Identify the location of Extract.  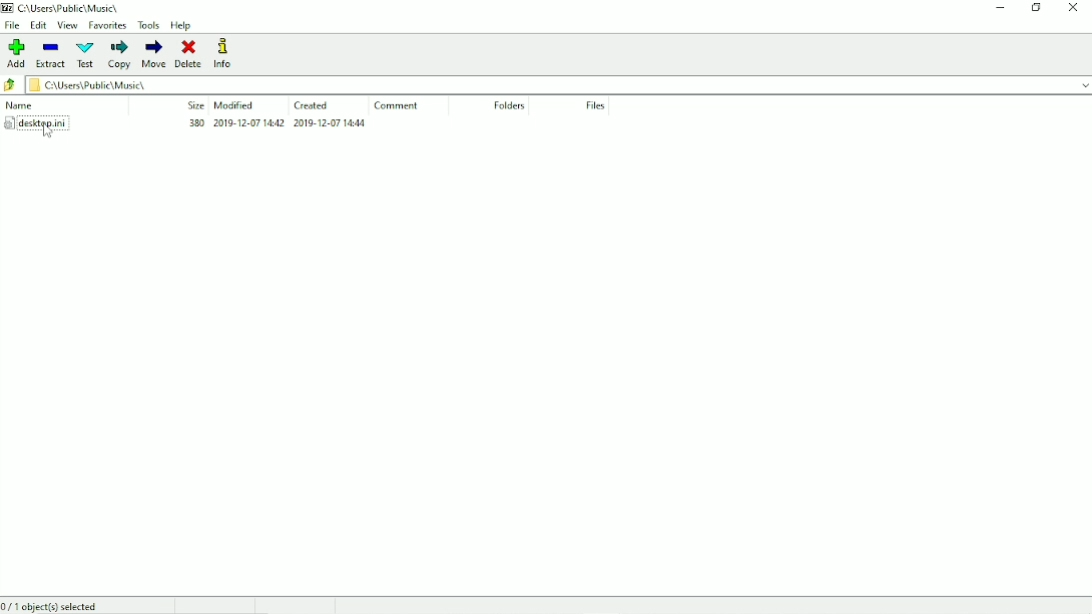
(51, 56).